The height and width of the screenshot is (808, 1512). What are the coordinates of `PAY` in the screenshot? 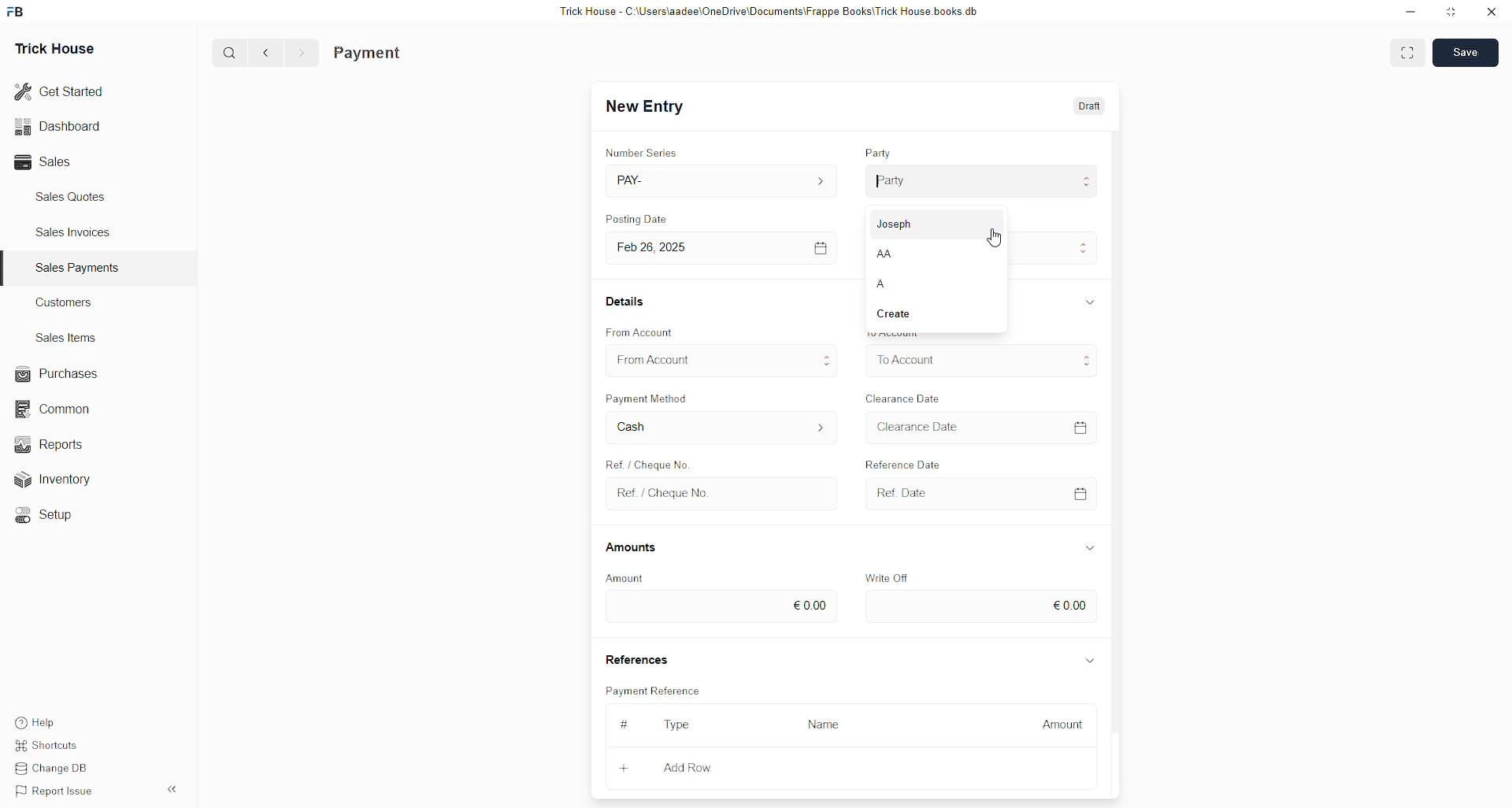 It's located at (724, 180).